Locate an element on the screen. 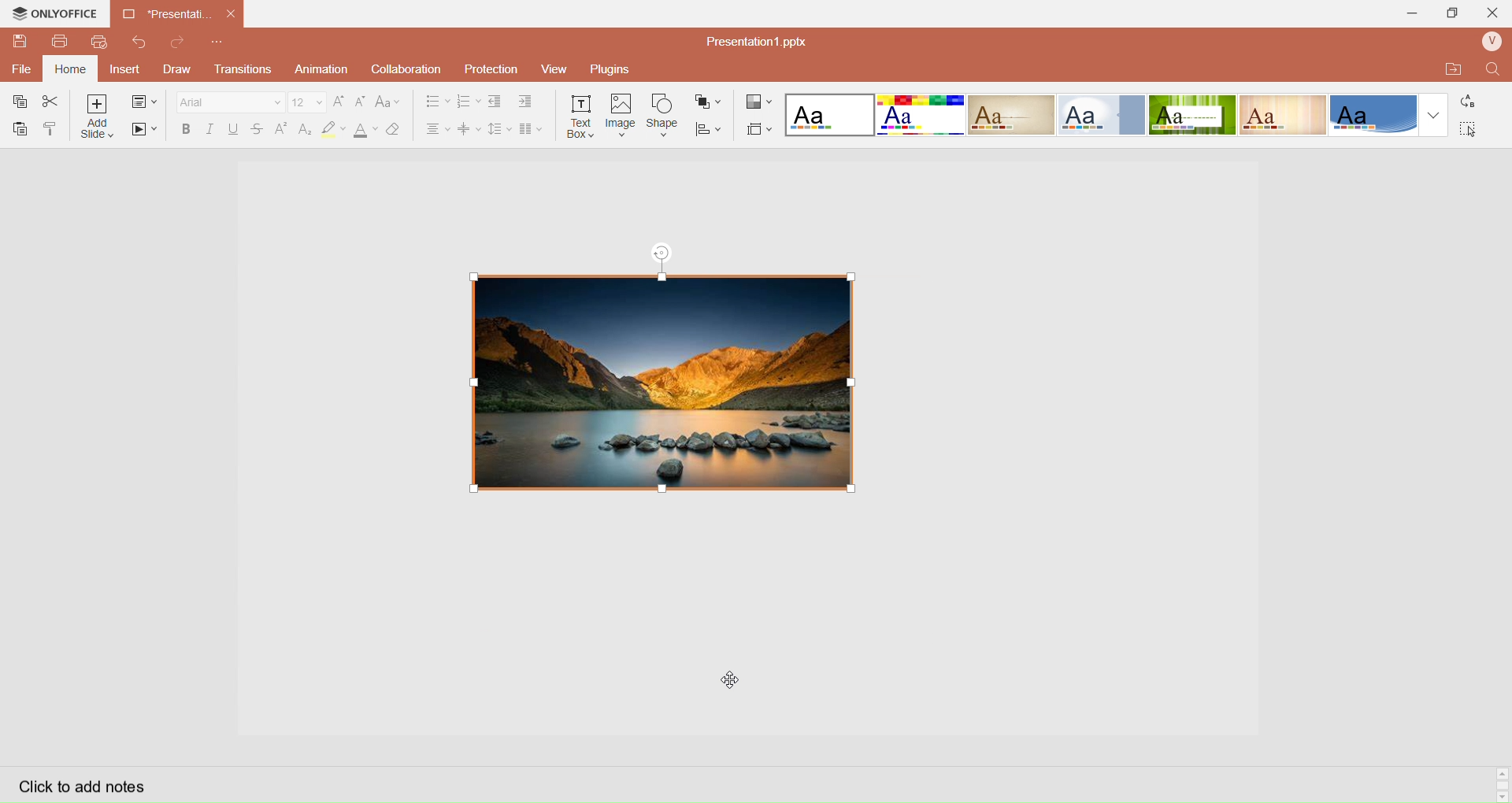 This screenshot has height=803, width=1512. Redo is located at coordinates (177, 43).